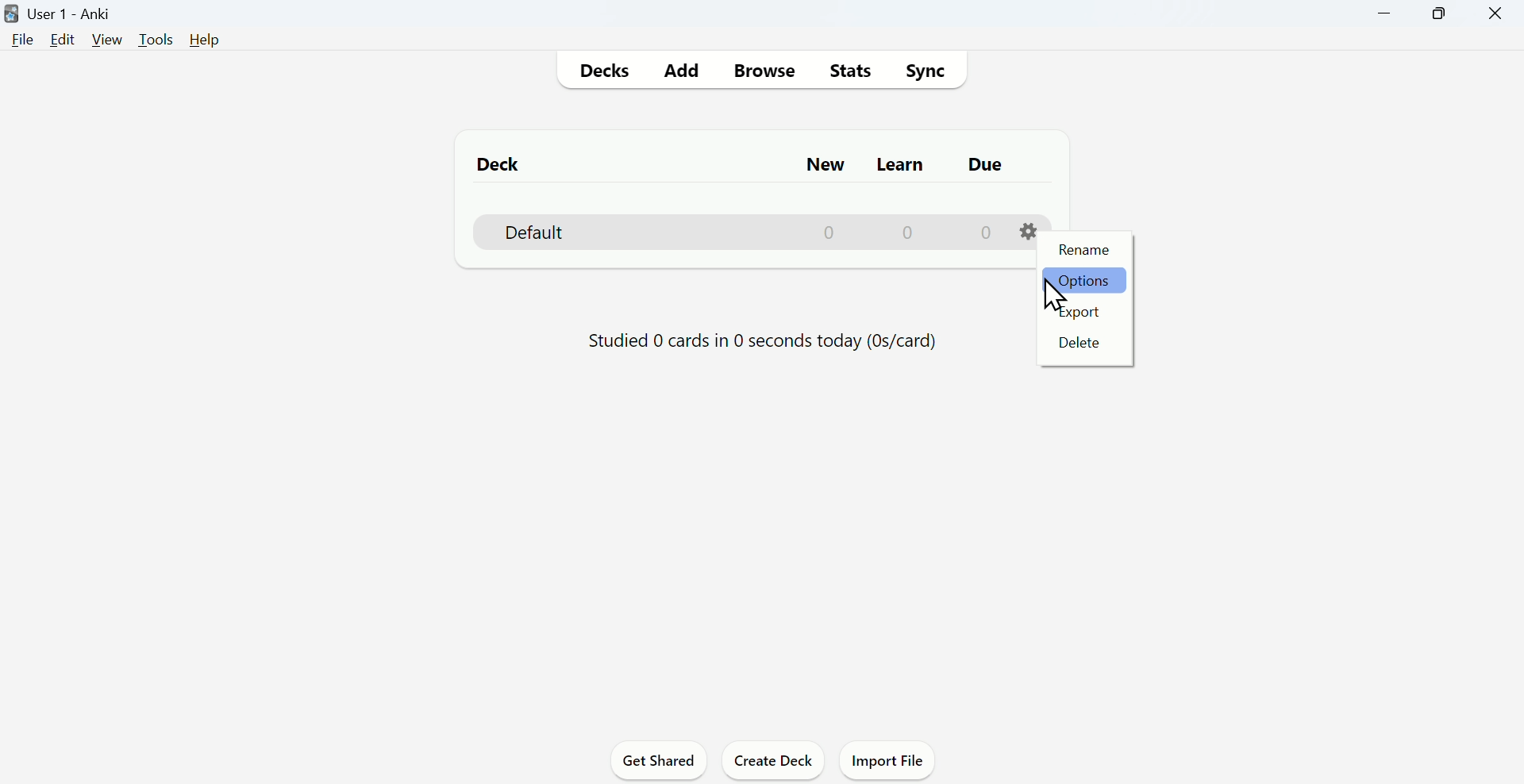  Describe the element at coordinates (1079, 313) in the screenshot. I see `Export` at that location.